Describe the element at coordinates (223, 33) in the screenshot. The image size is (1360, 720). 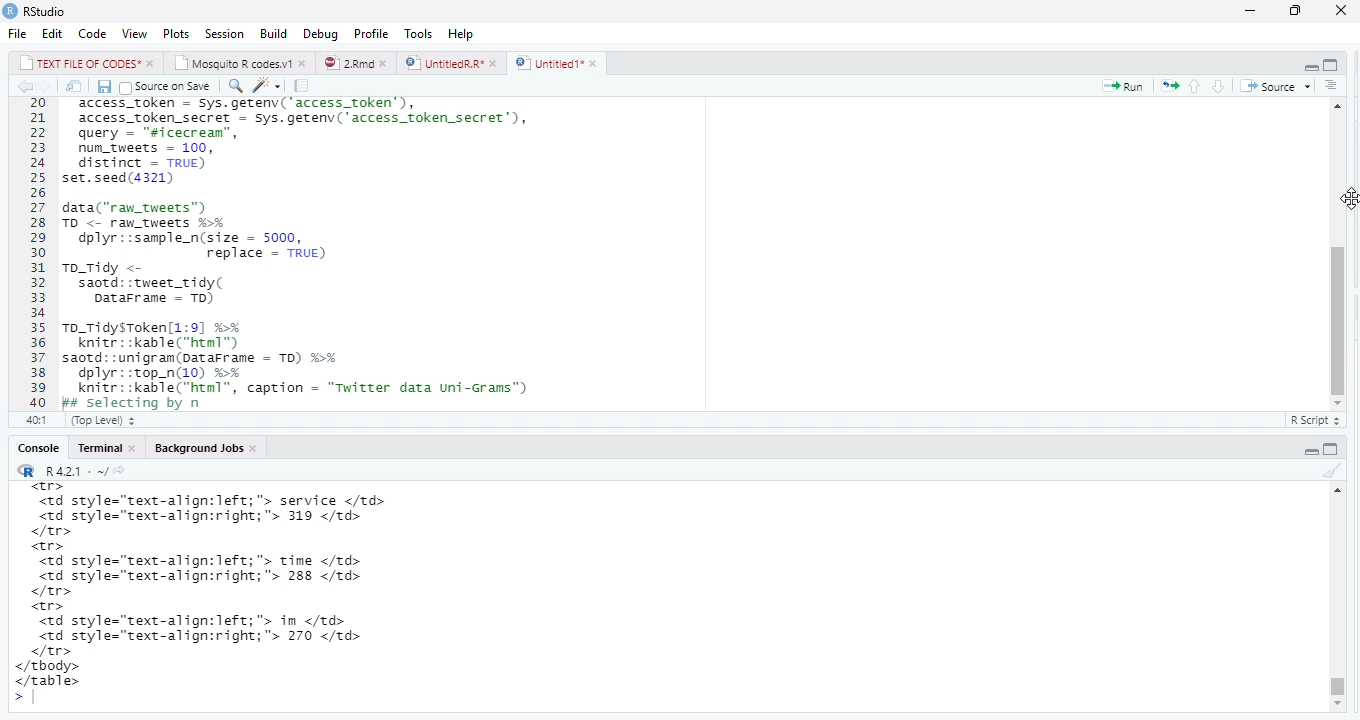
I see `Session` at that location.